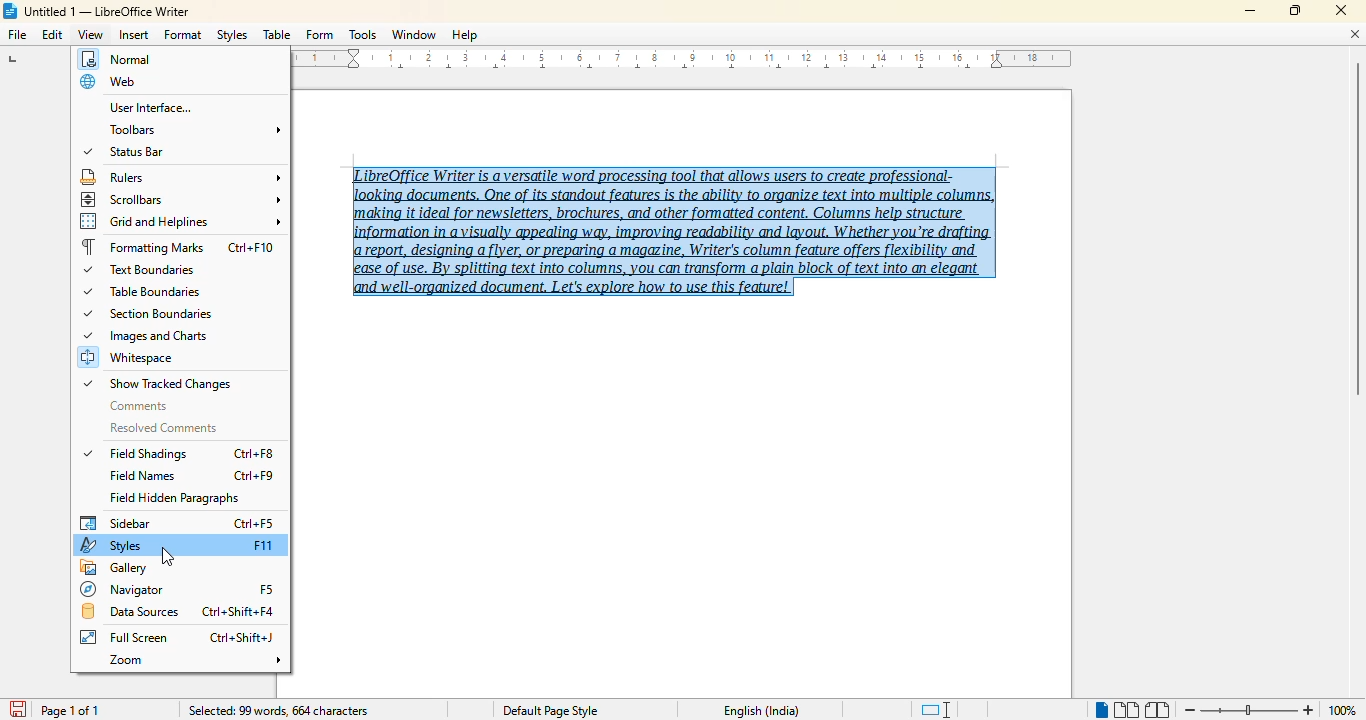 The height and width of the screenshot is (720, 1366). What do you see at coordinates (178, 523) in the screenshot?
I see `sidebar` at bounding box center [178, 523].